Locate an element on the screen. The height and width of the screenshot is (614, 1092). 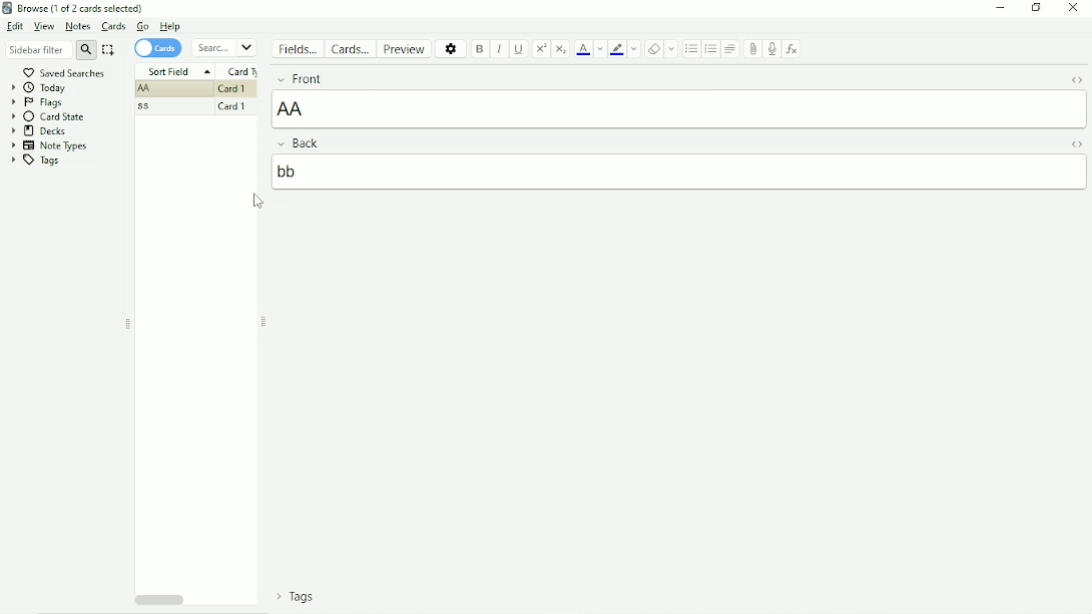
Sidebar filter is located at coordinates (49, 51).